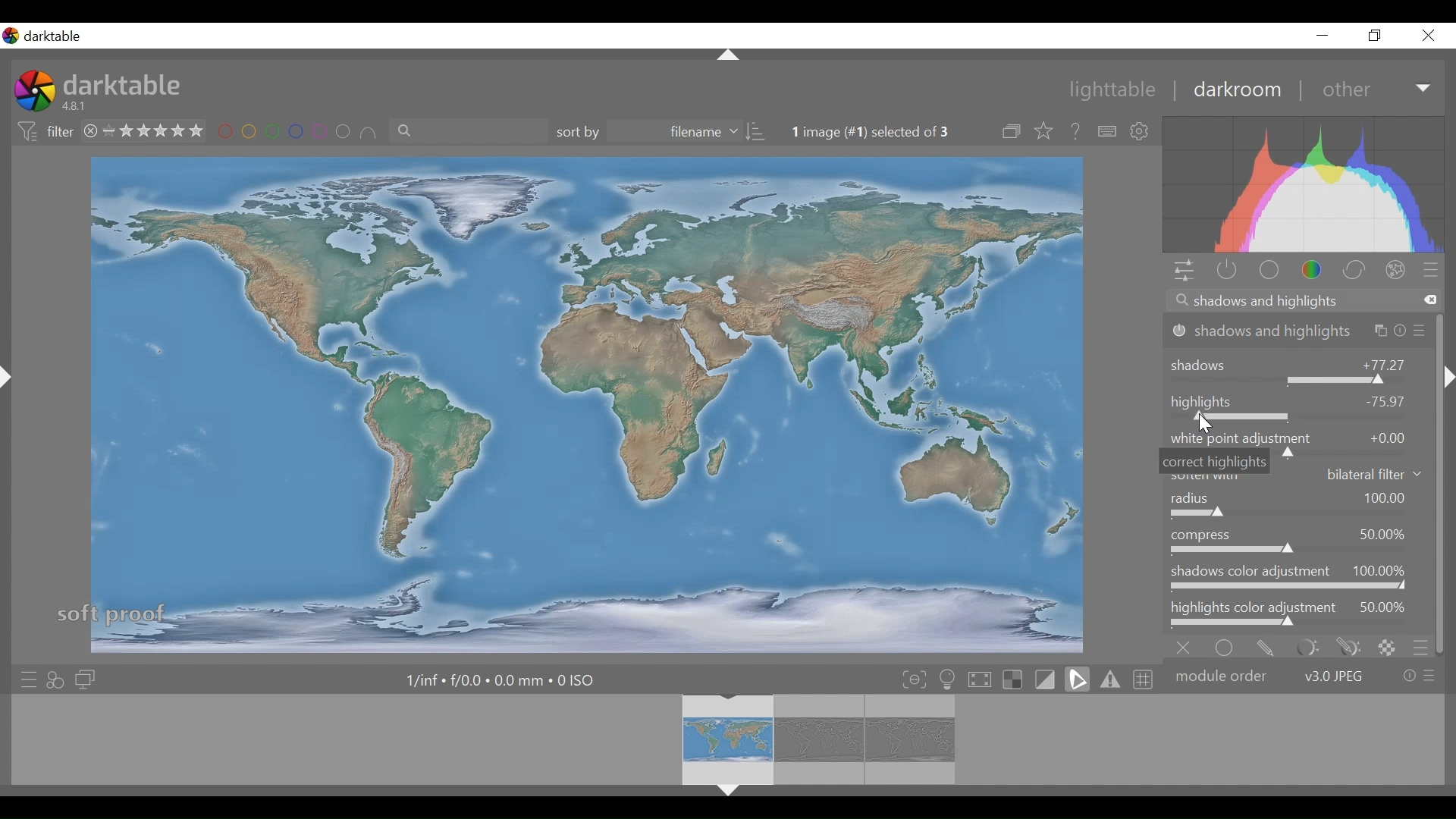 This screenshot has width=1456, height=819. I want to click on quick access for applying any of styles, so click(58, 679).